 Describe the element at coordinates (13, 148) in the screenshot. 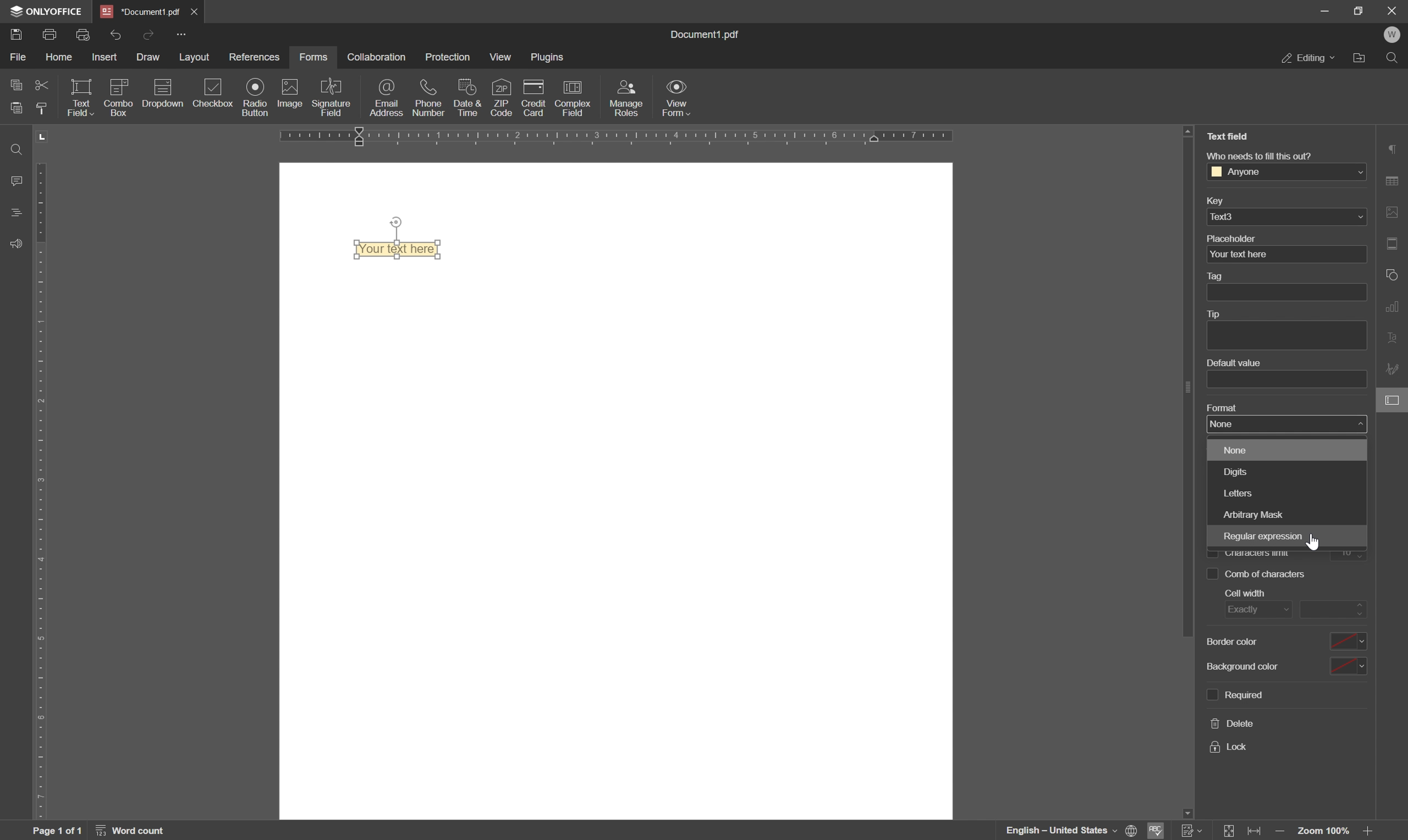

I see `find` at that location.